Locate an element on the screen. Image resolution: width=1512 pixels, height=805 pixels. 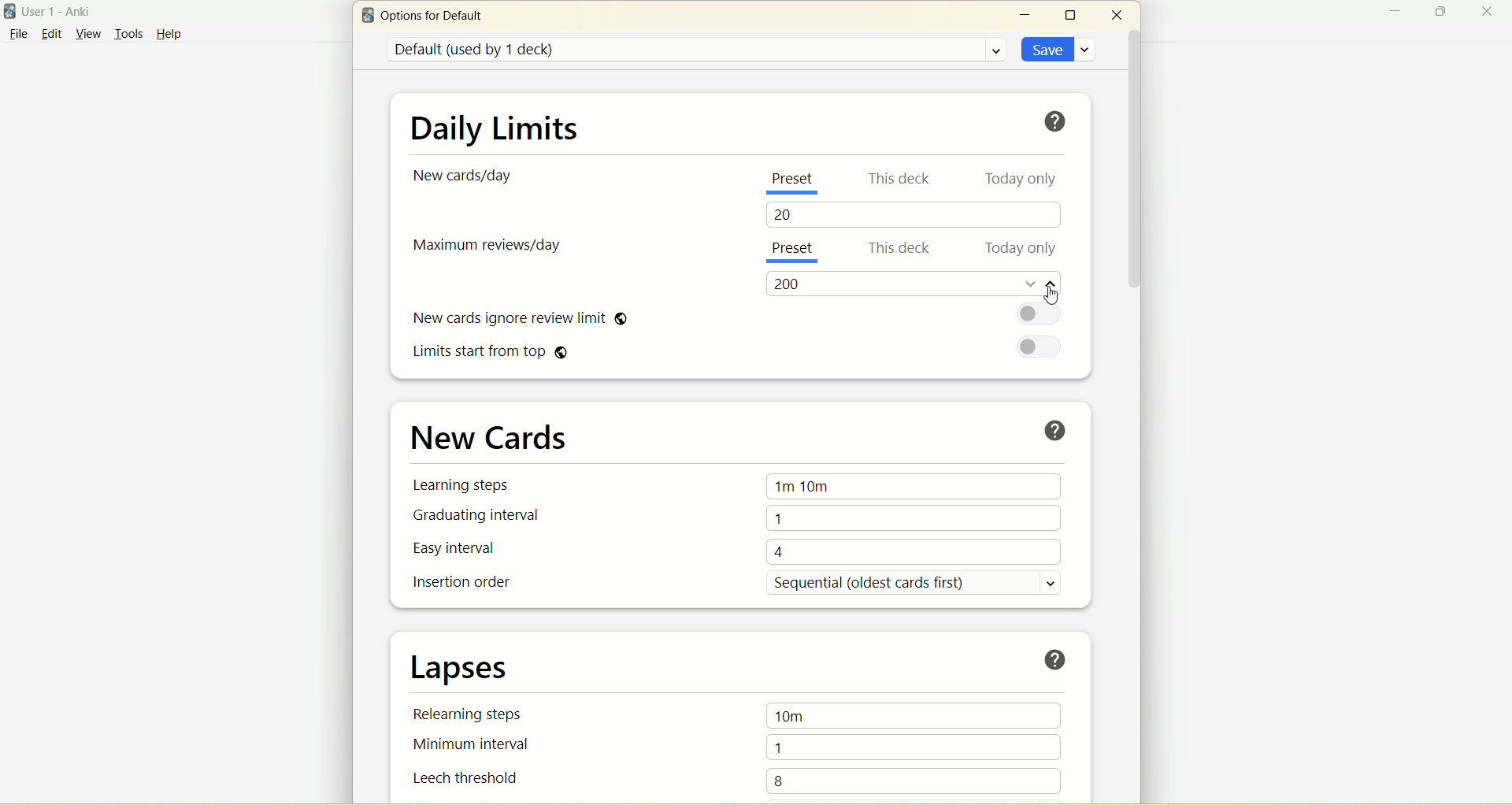
maximize is located at coordinates (1447, 12).